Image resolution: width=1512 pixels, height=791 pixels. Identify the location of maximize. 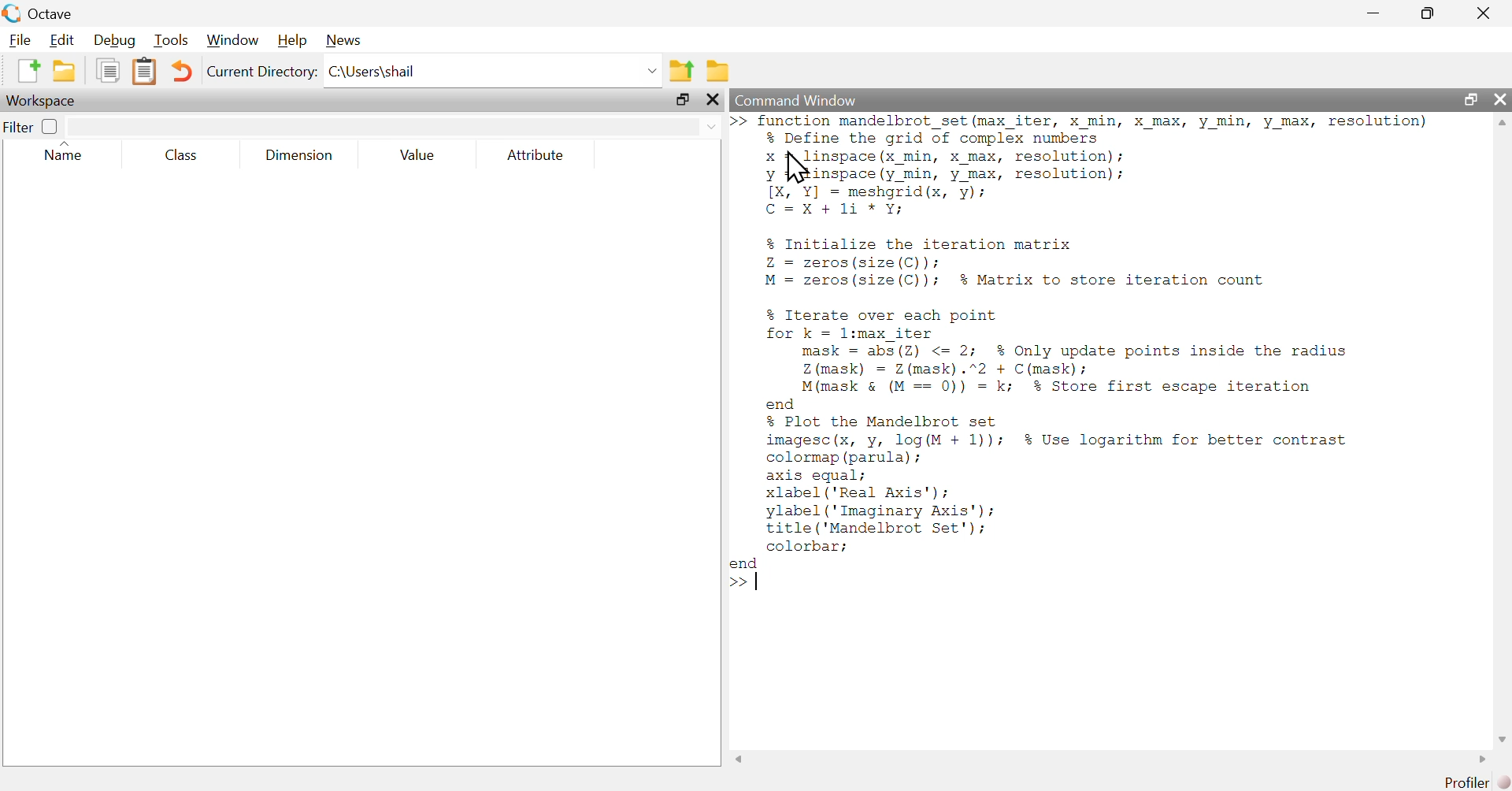
(1471, 100).